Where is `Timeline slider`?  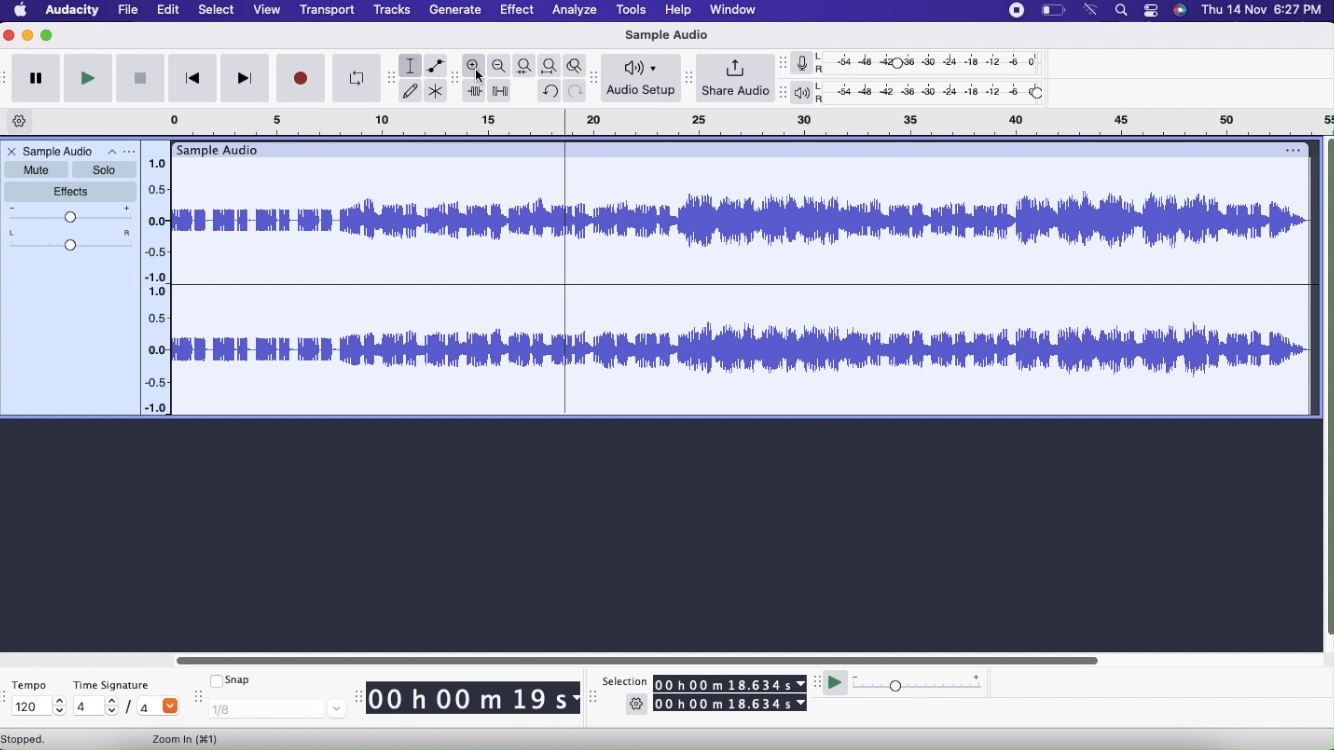 Timeline slider is located at coordinates (157, 281).